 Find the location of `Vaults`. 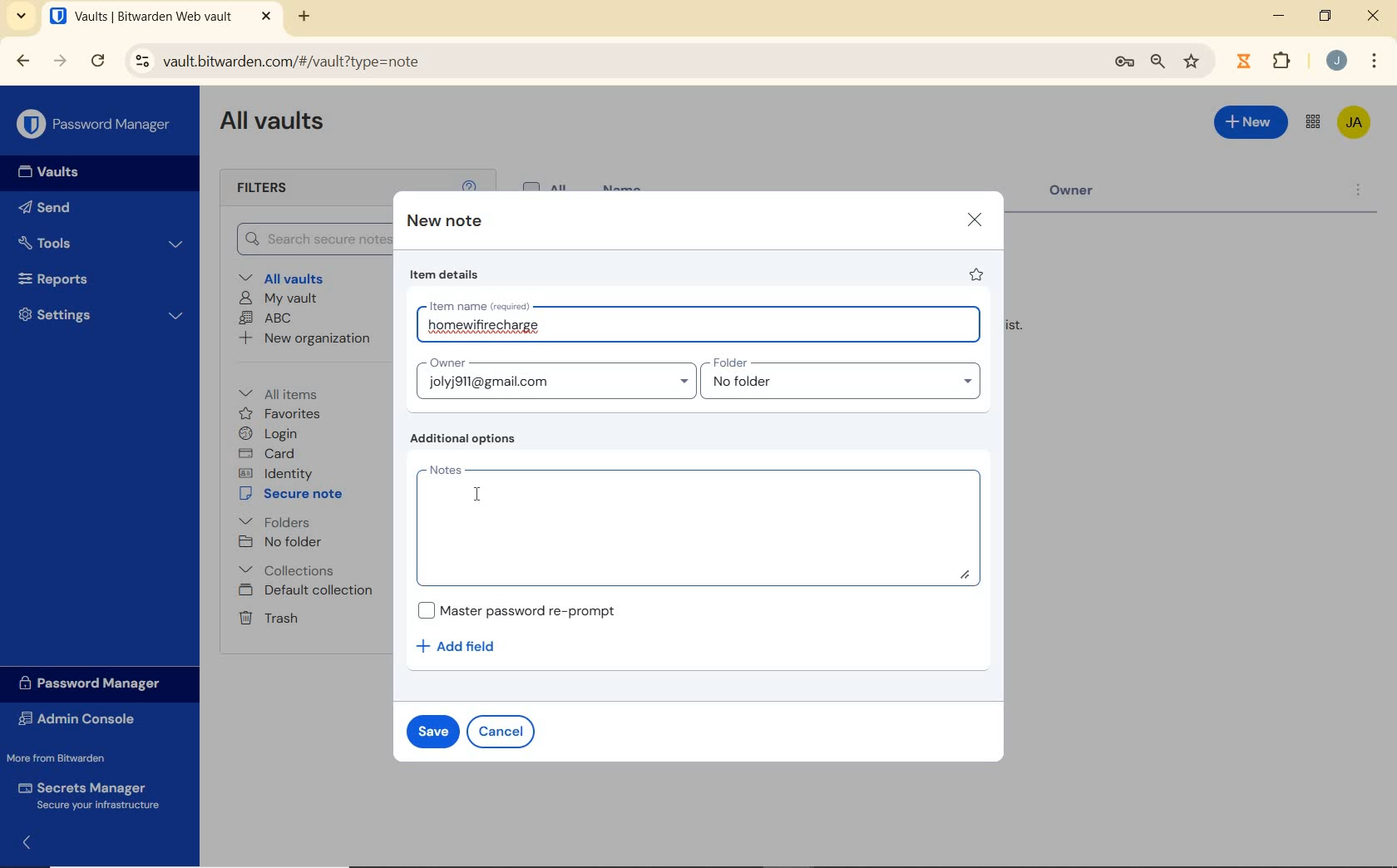

Vaults is located at coordinates (43, 172).